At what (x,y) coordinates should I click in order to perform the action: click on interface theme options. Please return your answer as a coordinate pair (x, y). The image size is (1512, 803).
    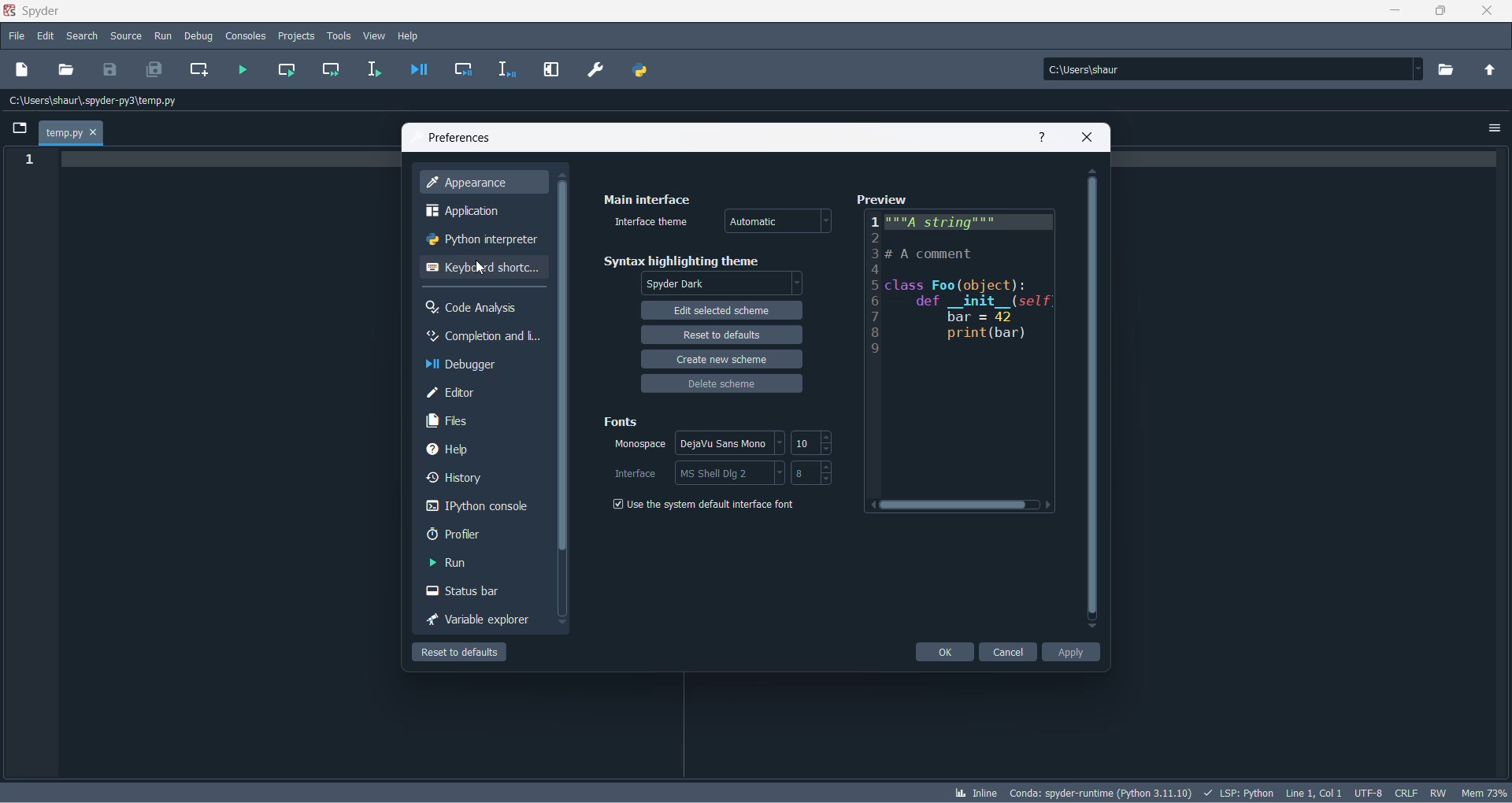
    Looking at the image, I should click on (783, 220).